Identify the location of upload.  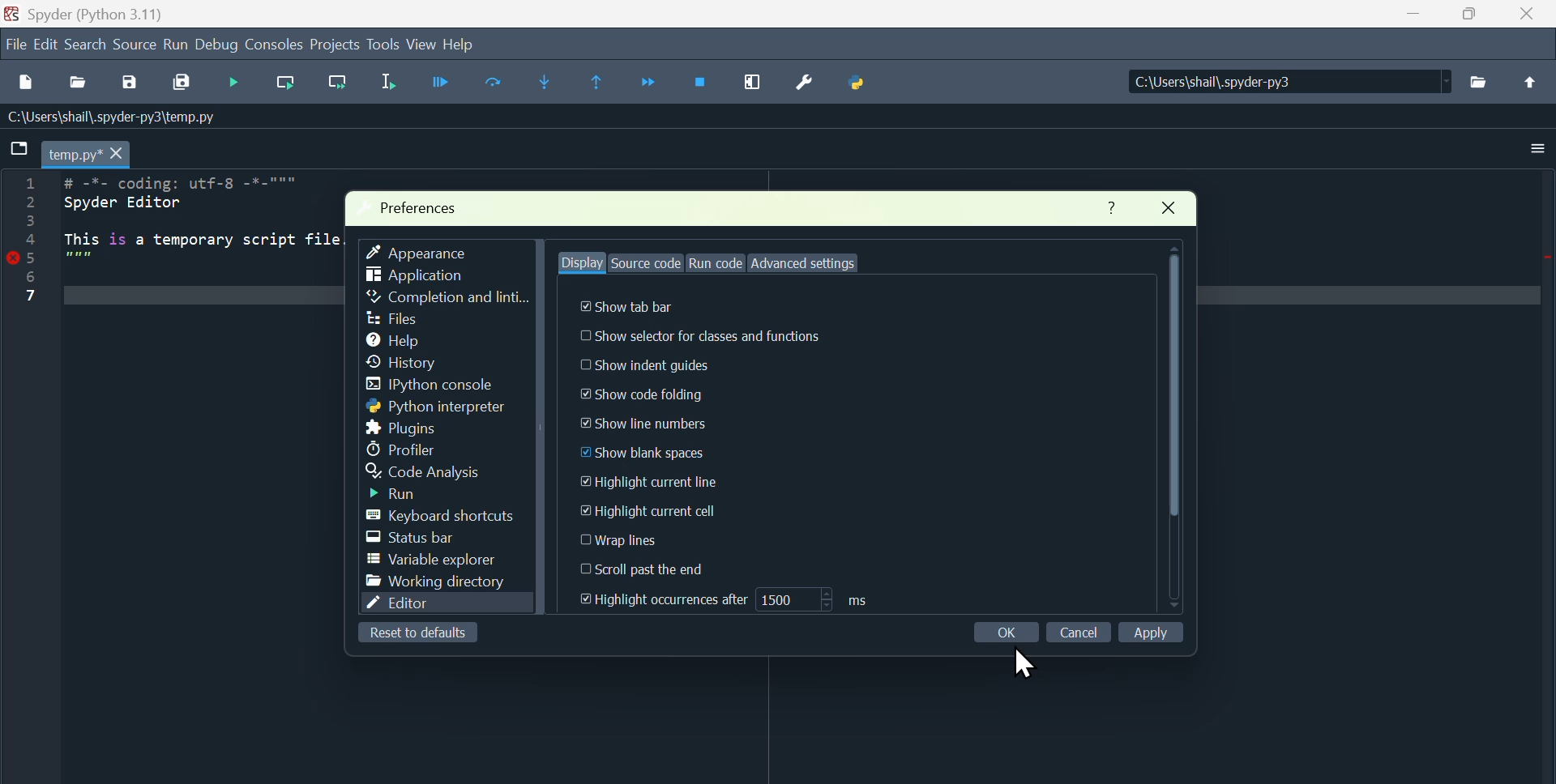
(1528, 83).